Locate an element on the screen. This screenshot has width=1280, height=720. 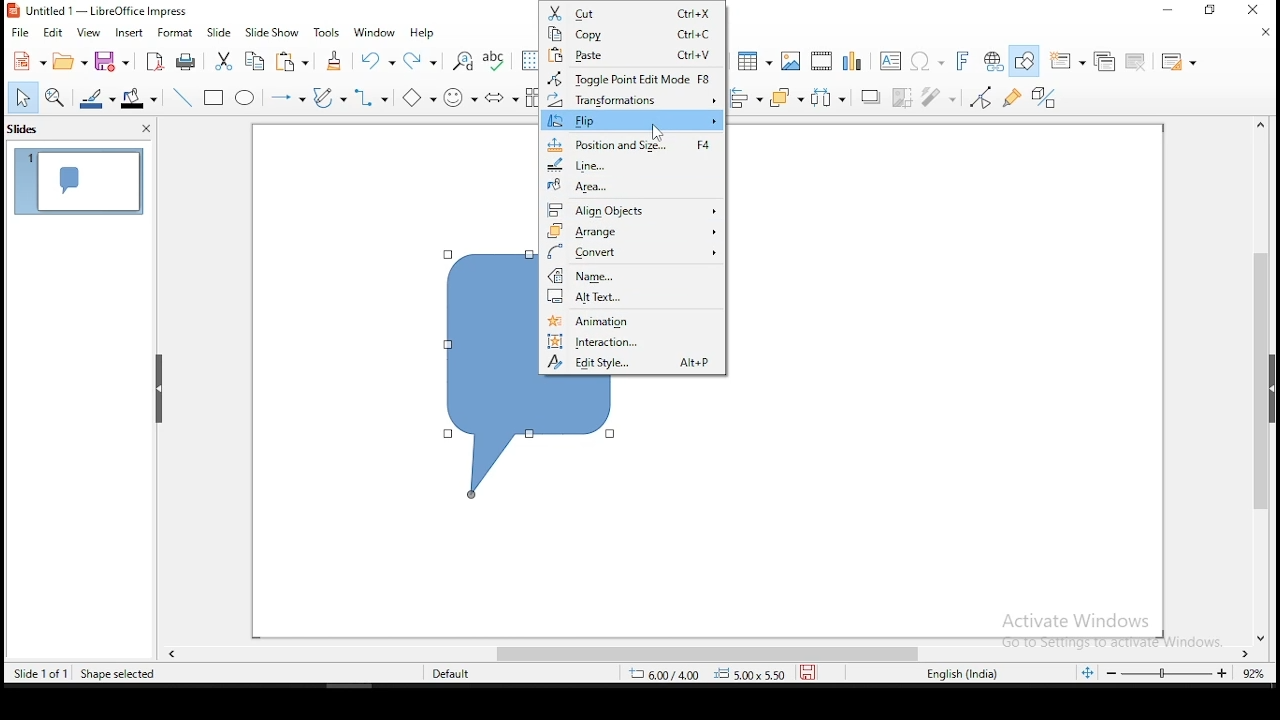
crop image is located at coordinates (902, 97).